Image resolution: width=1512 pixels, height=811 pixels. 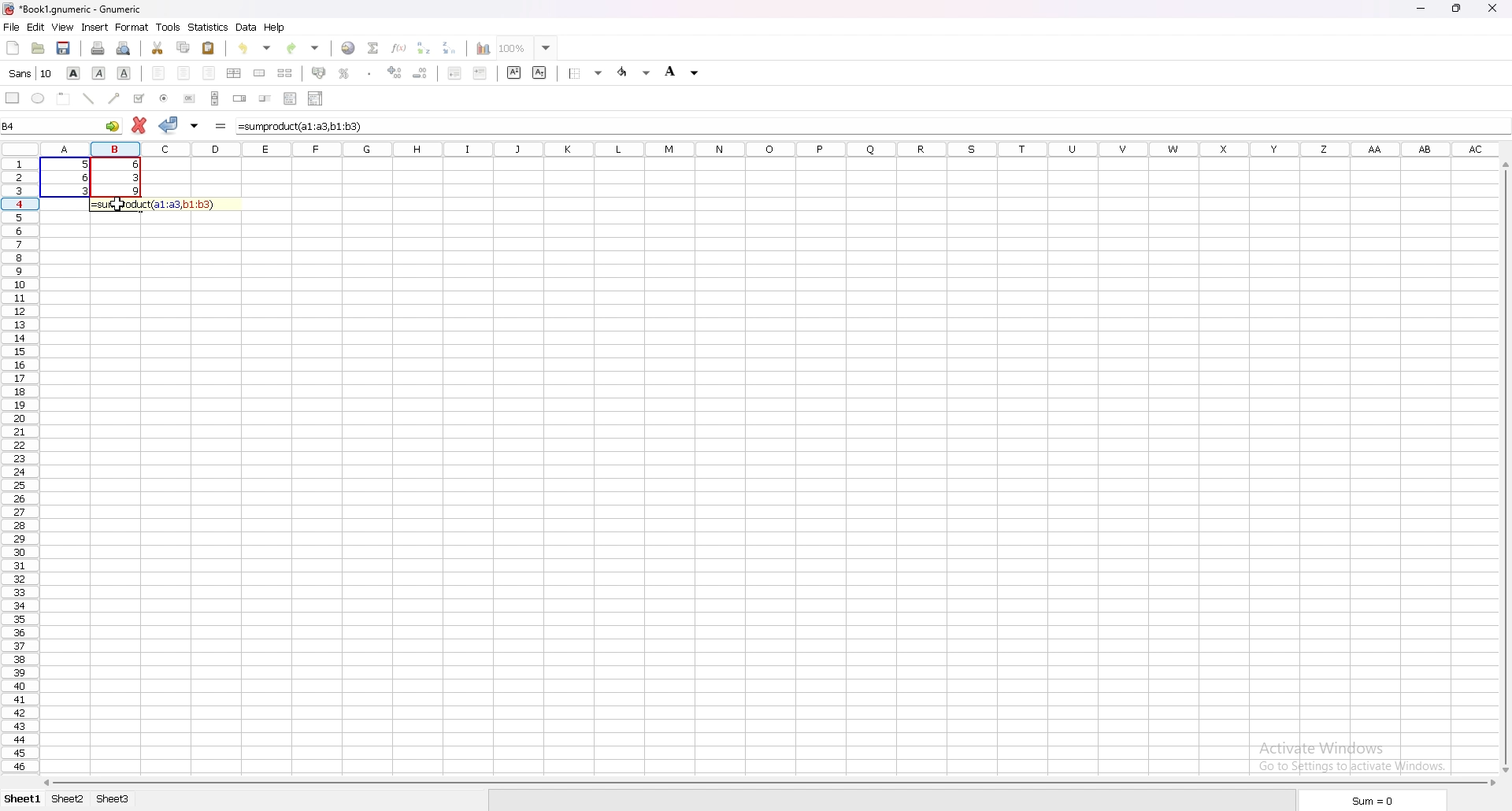 What do you see at coordinates (165, 98) in the screenshot?
I see `radio button` at bounding box center [165, 98].